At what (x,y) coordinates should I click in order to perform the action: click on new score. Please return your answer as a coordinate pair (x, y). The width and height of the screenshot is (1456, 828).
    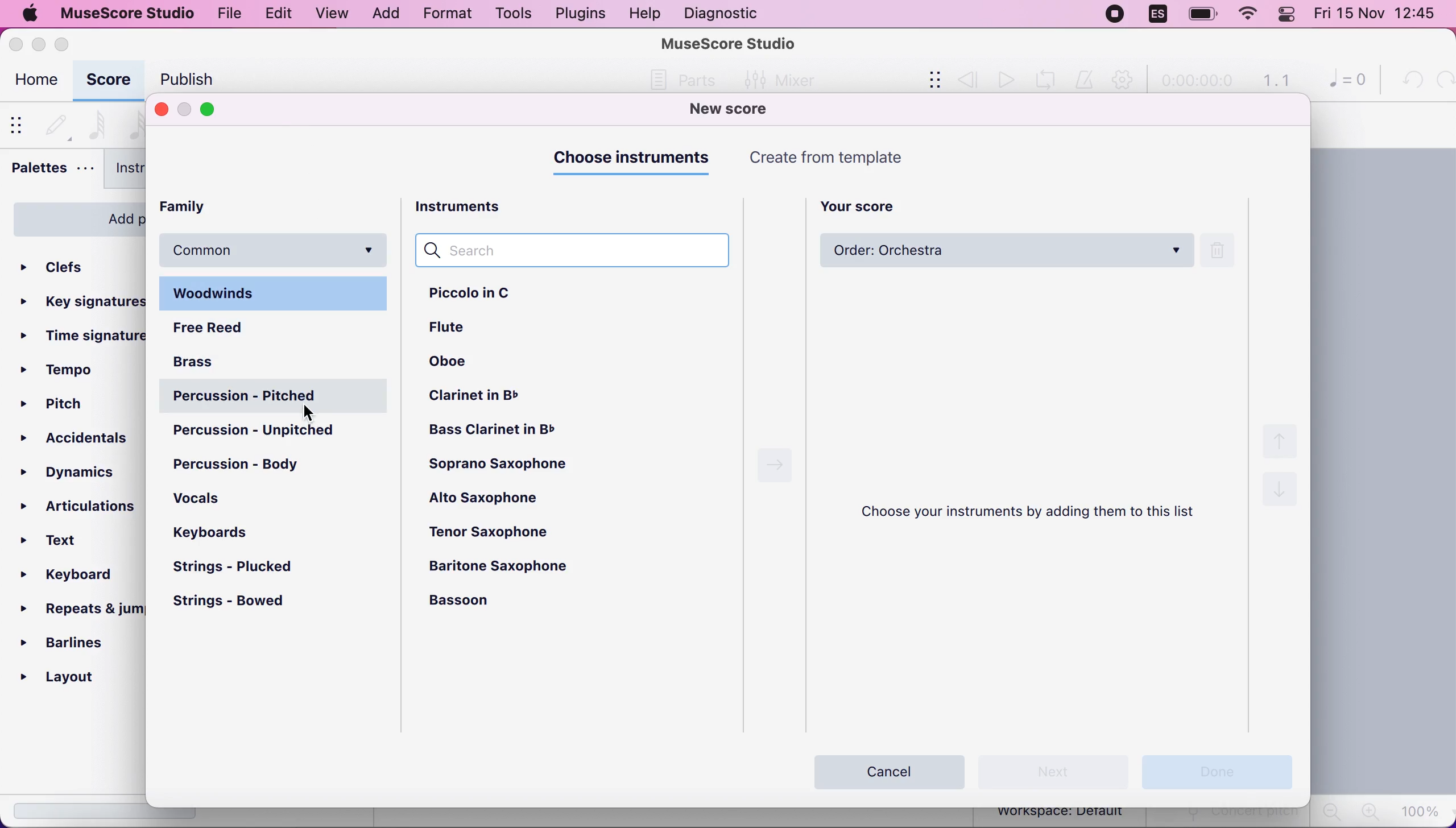
    Looking at the image, I should click on (744, 110).